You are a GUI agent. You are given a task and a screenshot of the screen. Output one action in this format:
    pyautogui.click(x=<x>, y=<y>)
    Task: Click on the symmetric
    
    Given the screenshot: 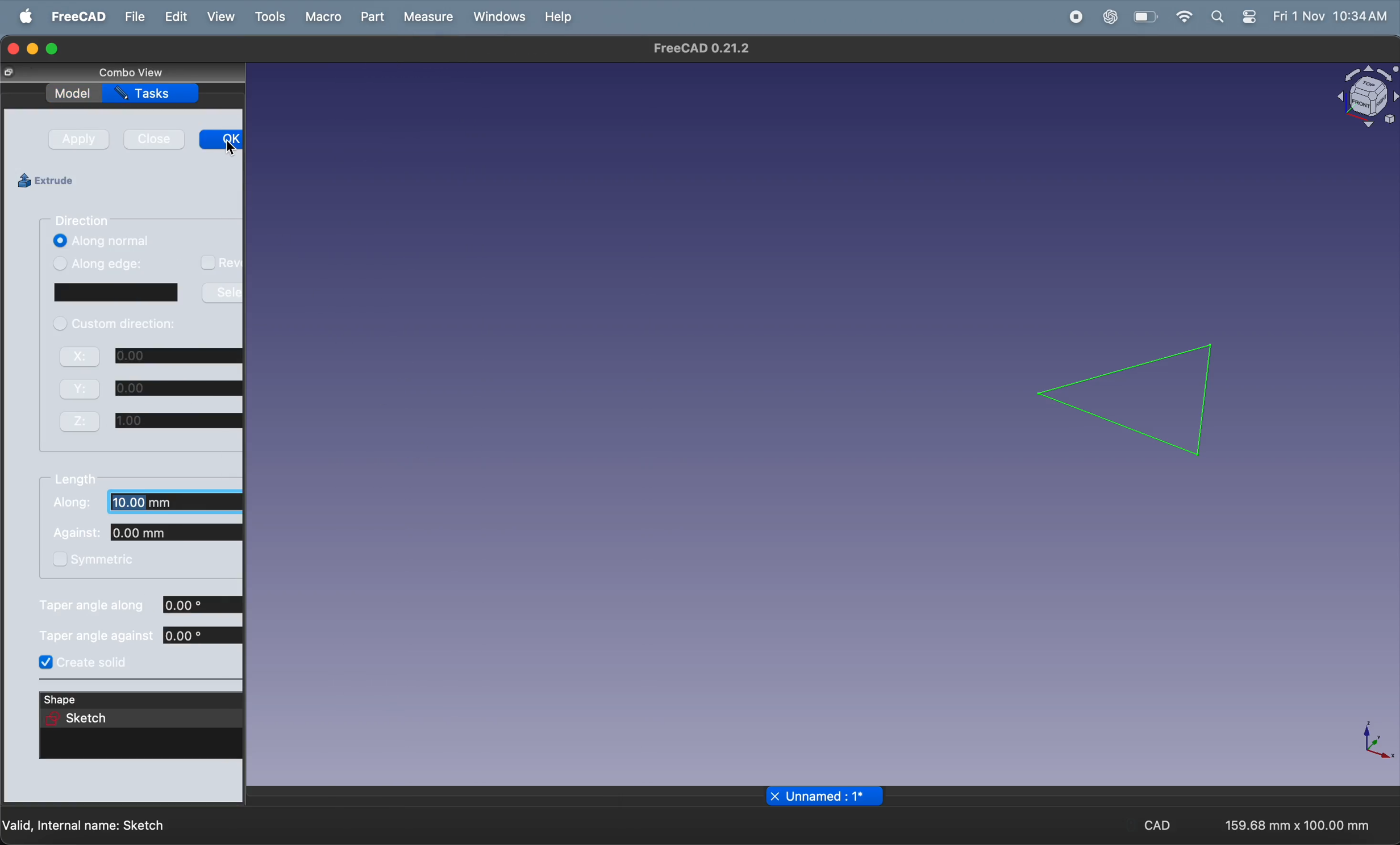 What is the action you would take?
    pyautogui.click(x=110, y=560)
    